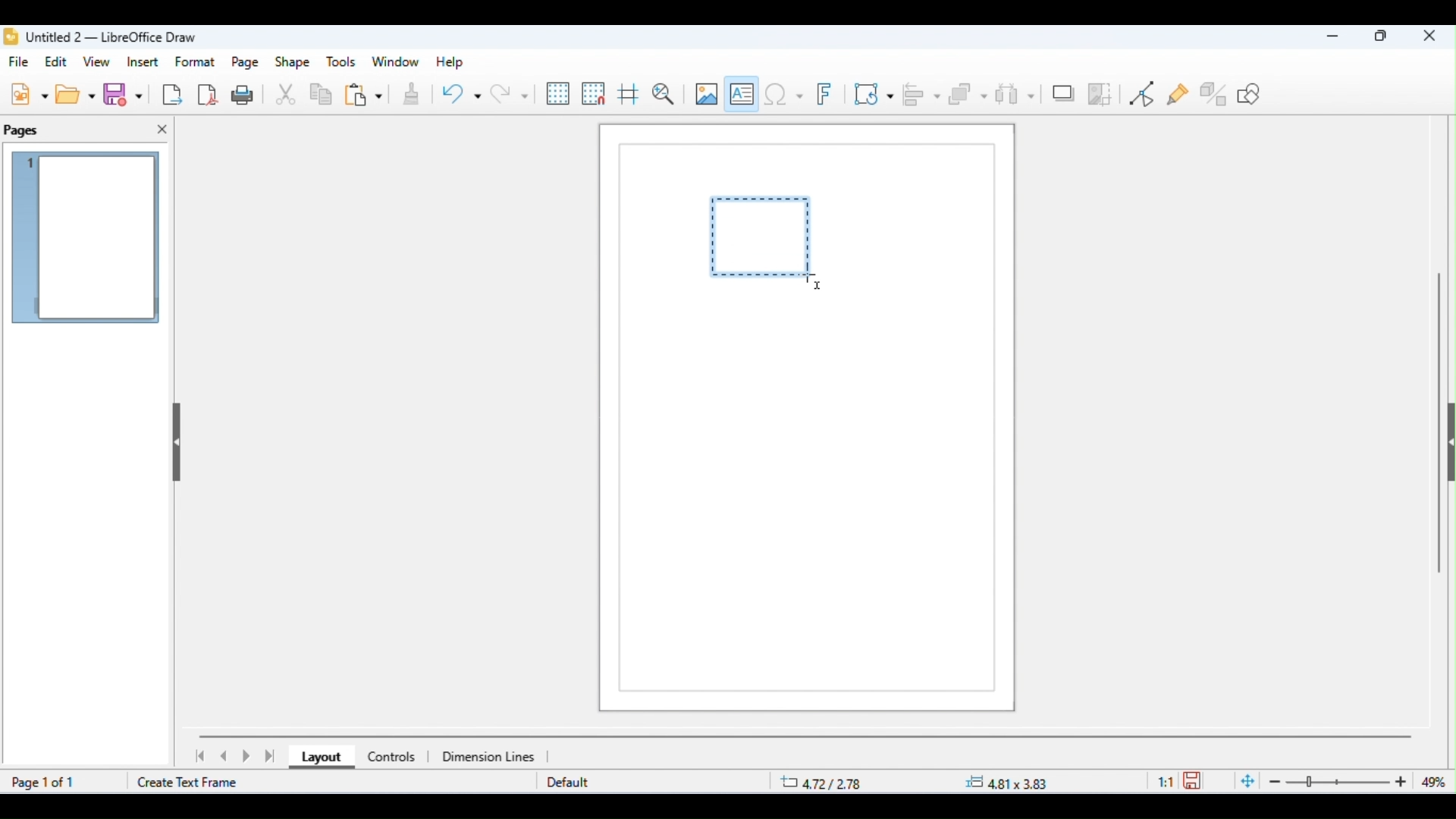 The height and width of the screenshot is (819, 1456). Describe the element at coordinates (461, 96) in the screenshot. I see `undo` at that location.